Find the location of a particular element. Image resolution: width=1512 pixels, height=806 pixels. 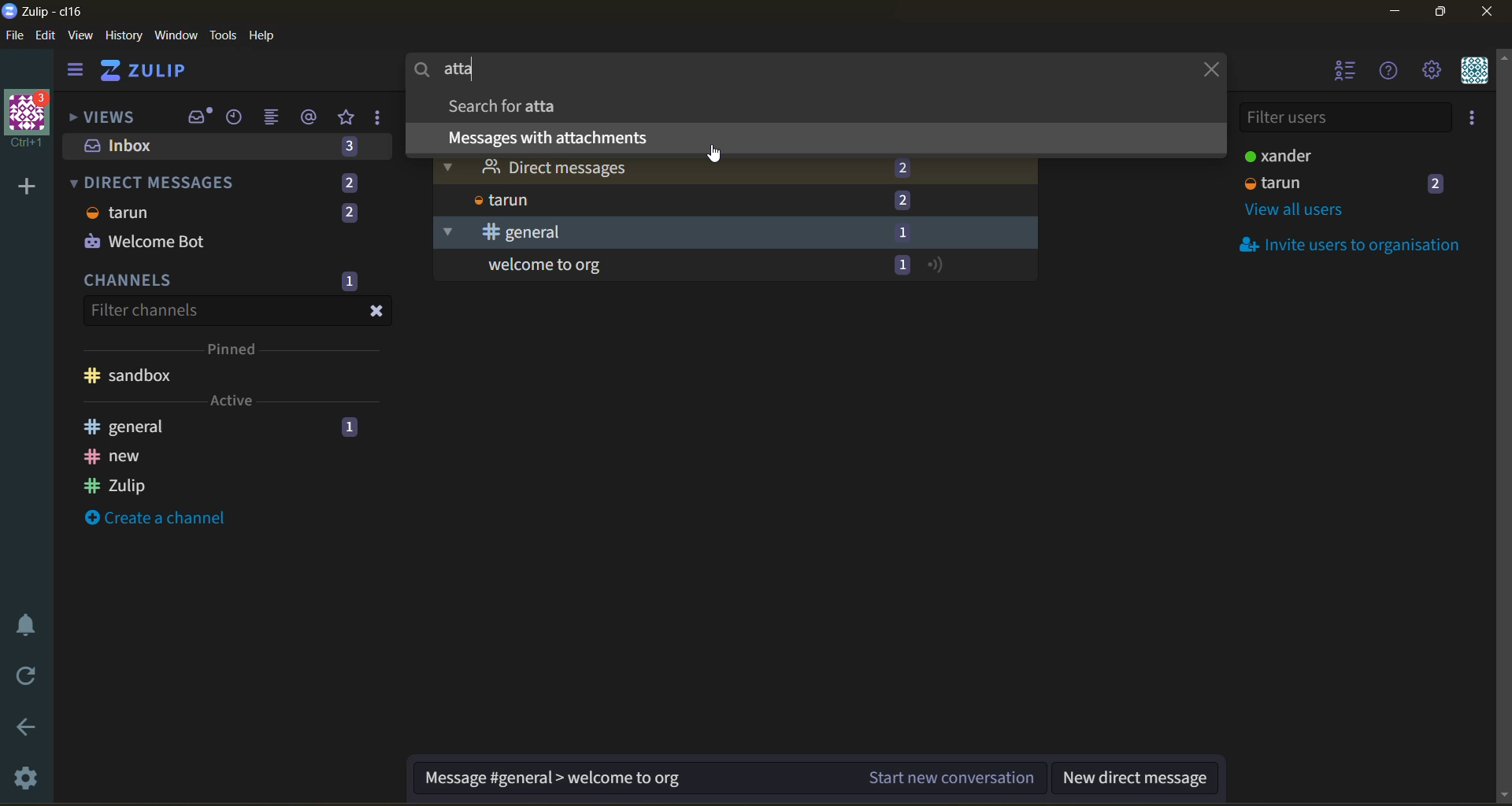

# Zulip is located at coordinates (113, 486).